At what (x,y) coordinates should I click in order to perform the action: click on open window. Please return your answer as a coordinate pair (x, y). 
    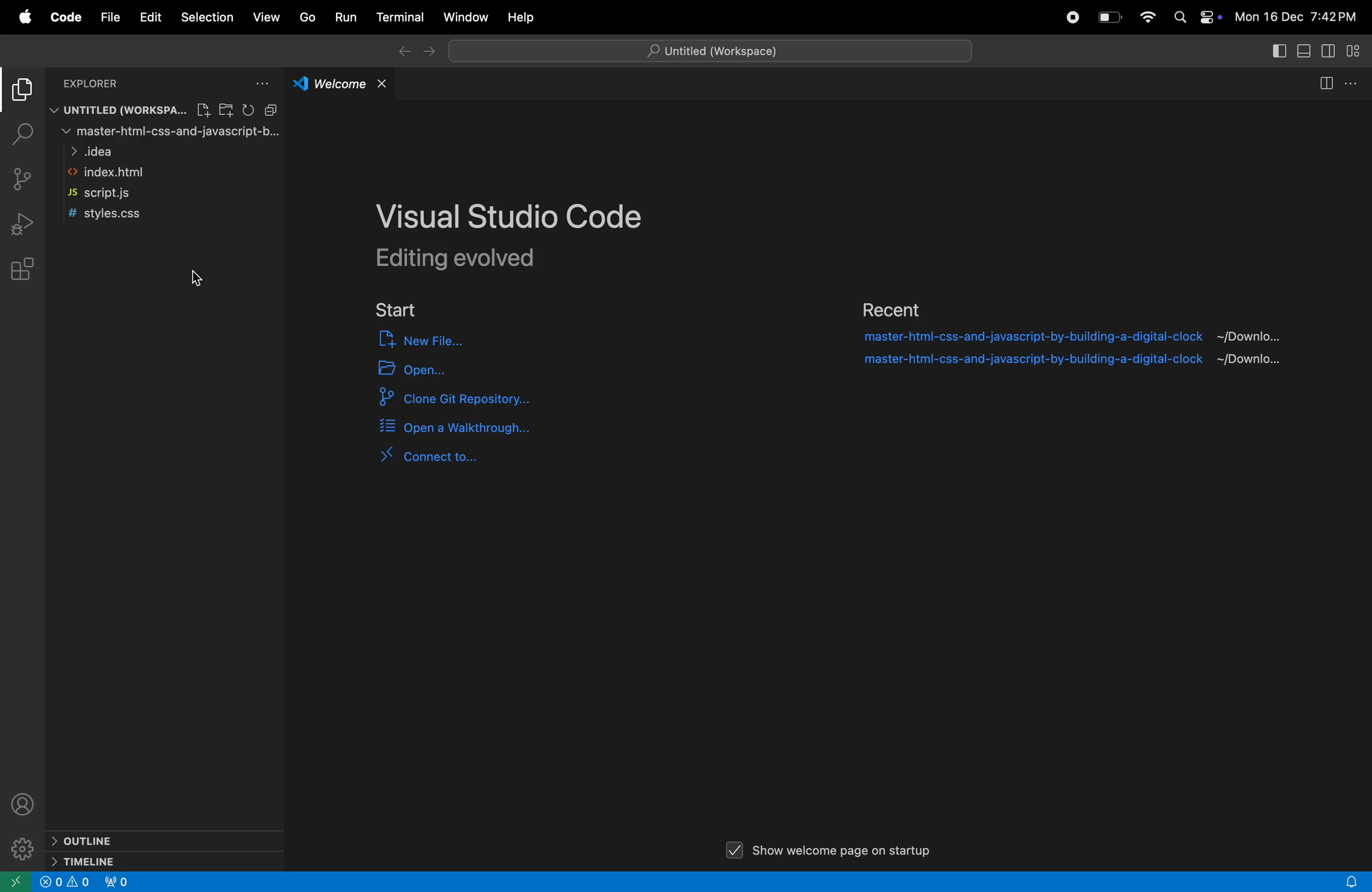
    Looking at the image, I should click on (17, 882).